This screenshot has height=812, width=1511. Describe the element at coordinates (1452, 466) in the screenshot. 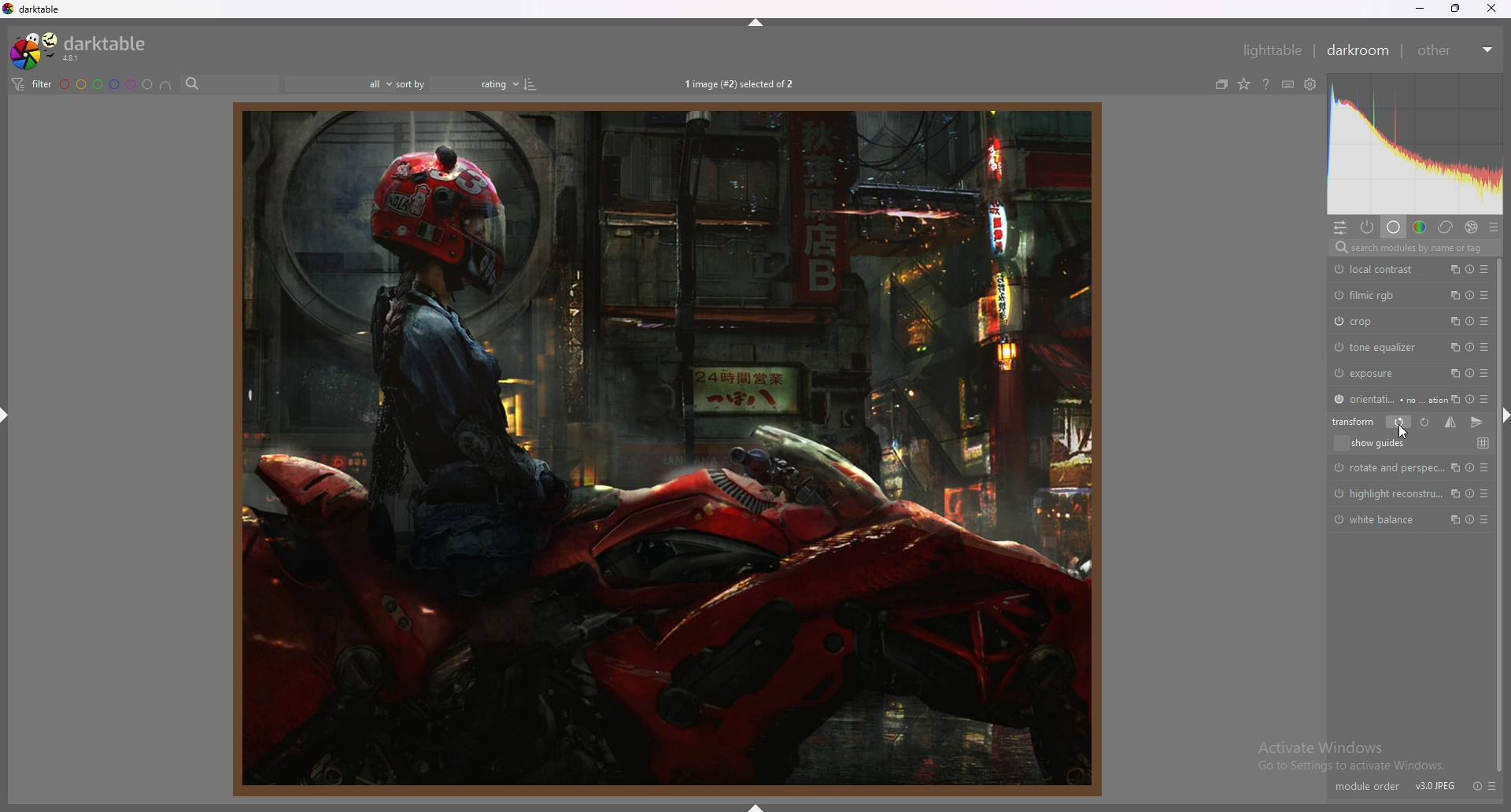

I see `multiple instances action` at that location.